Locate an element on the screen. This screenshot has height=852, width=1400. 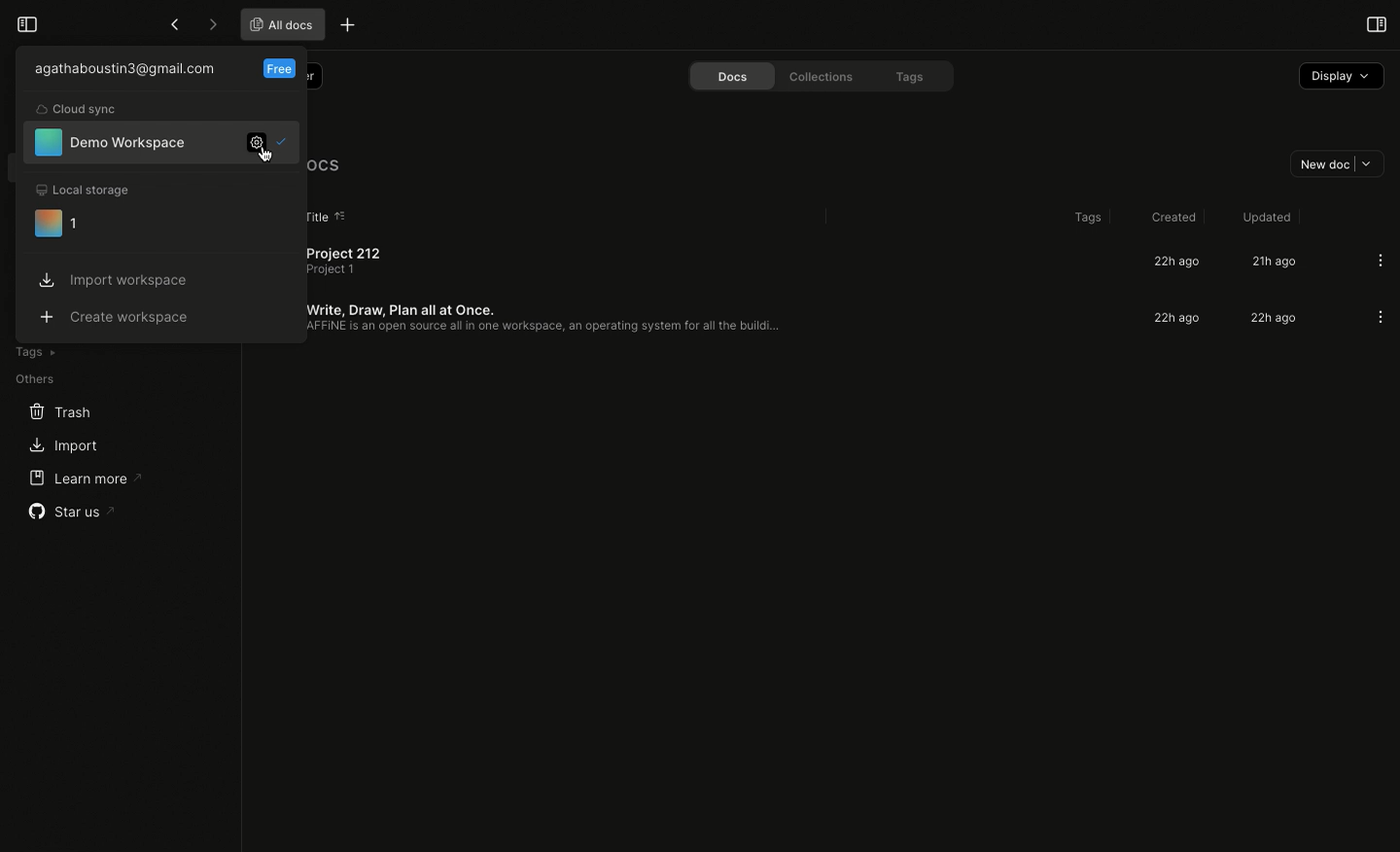
Tags is located at coordinates (34, 352).